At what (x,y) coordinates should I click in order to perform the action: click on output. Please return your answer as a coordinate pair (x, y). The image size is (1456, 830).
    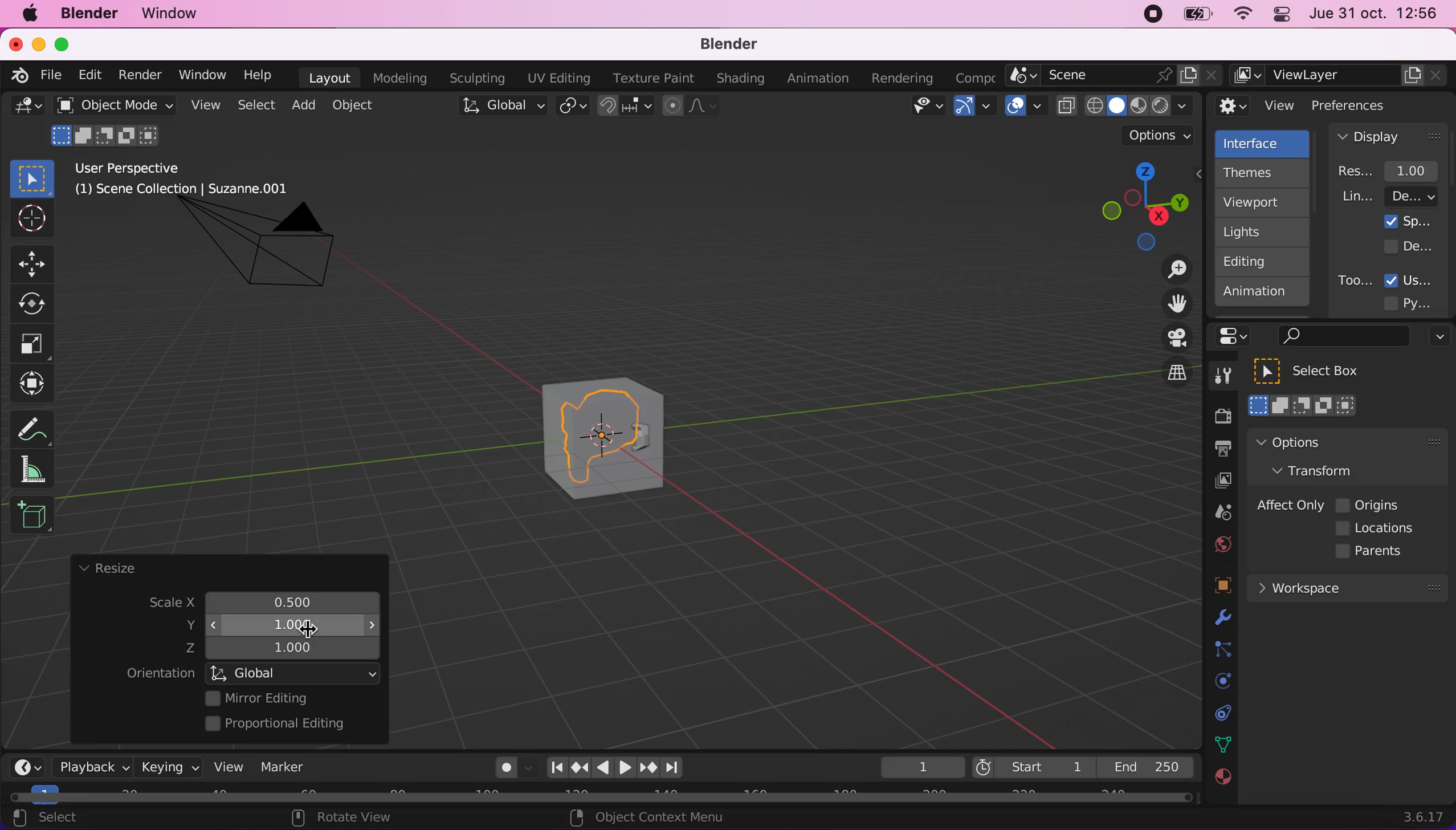
    Looking at the image, I should click on (1217, 450).